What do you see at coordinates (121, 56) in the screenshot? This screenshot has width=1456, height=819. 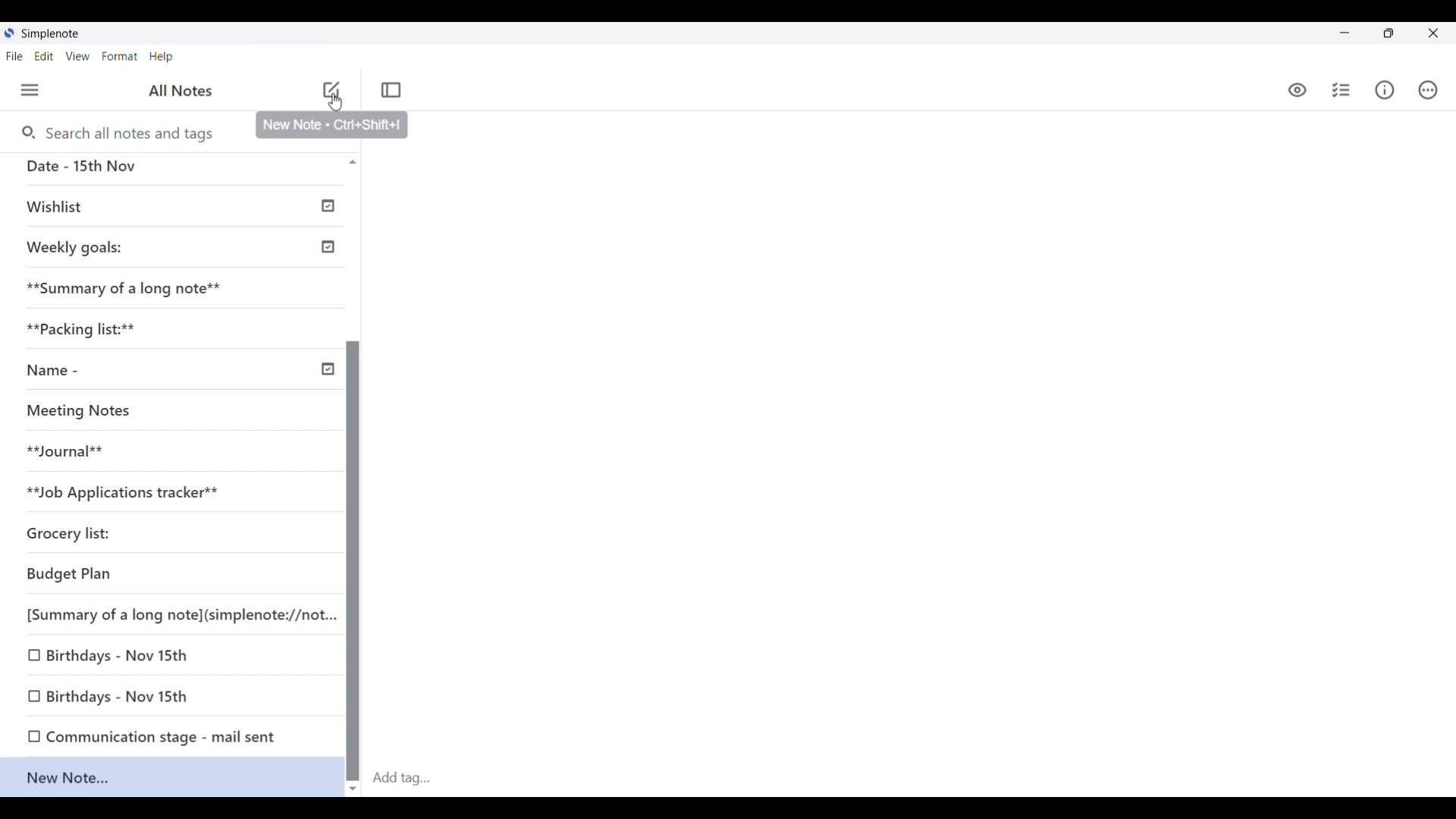 I see `Format menu ` at bounding box center [121, 56].